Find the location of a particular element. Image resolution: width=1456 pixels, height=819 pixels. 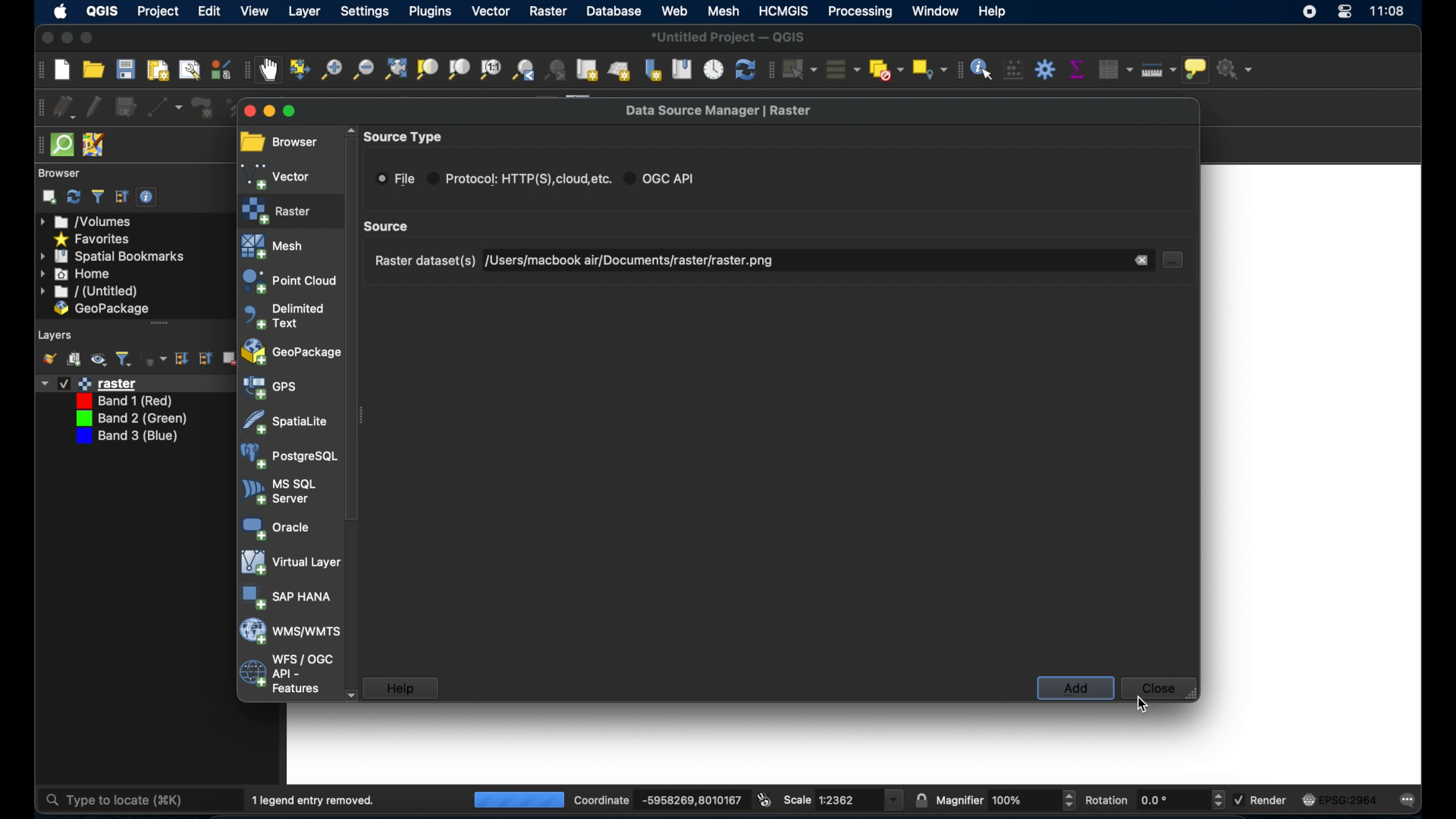

scroll up arrow is located at coordinates (351, 130).